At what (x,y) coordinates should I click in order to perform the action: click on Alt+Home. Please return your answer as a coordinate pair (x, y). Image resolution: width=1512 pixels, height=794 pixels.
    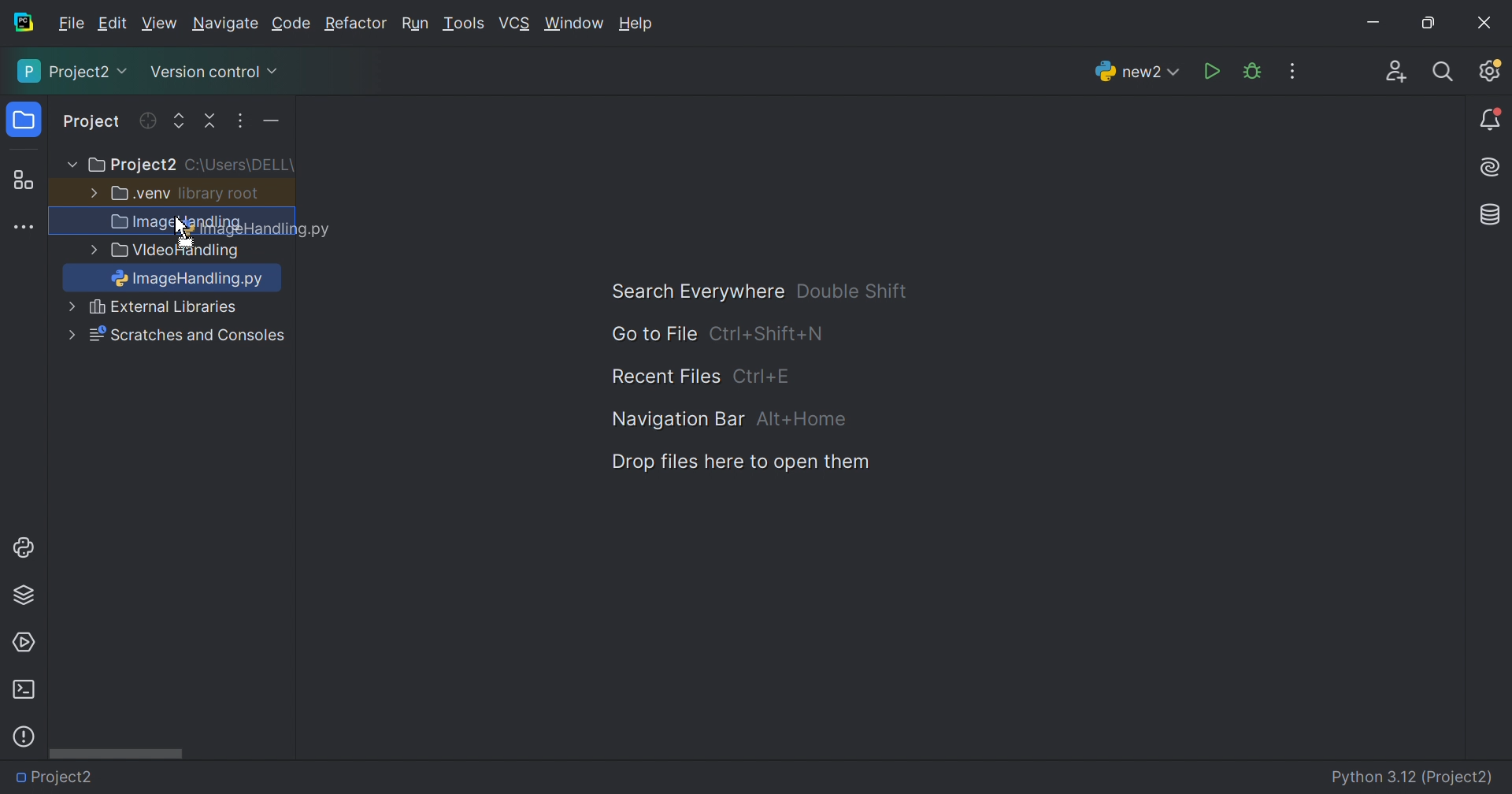
    Looking at the image, I should click on (804, 420).